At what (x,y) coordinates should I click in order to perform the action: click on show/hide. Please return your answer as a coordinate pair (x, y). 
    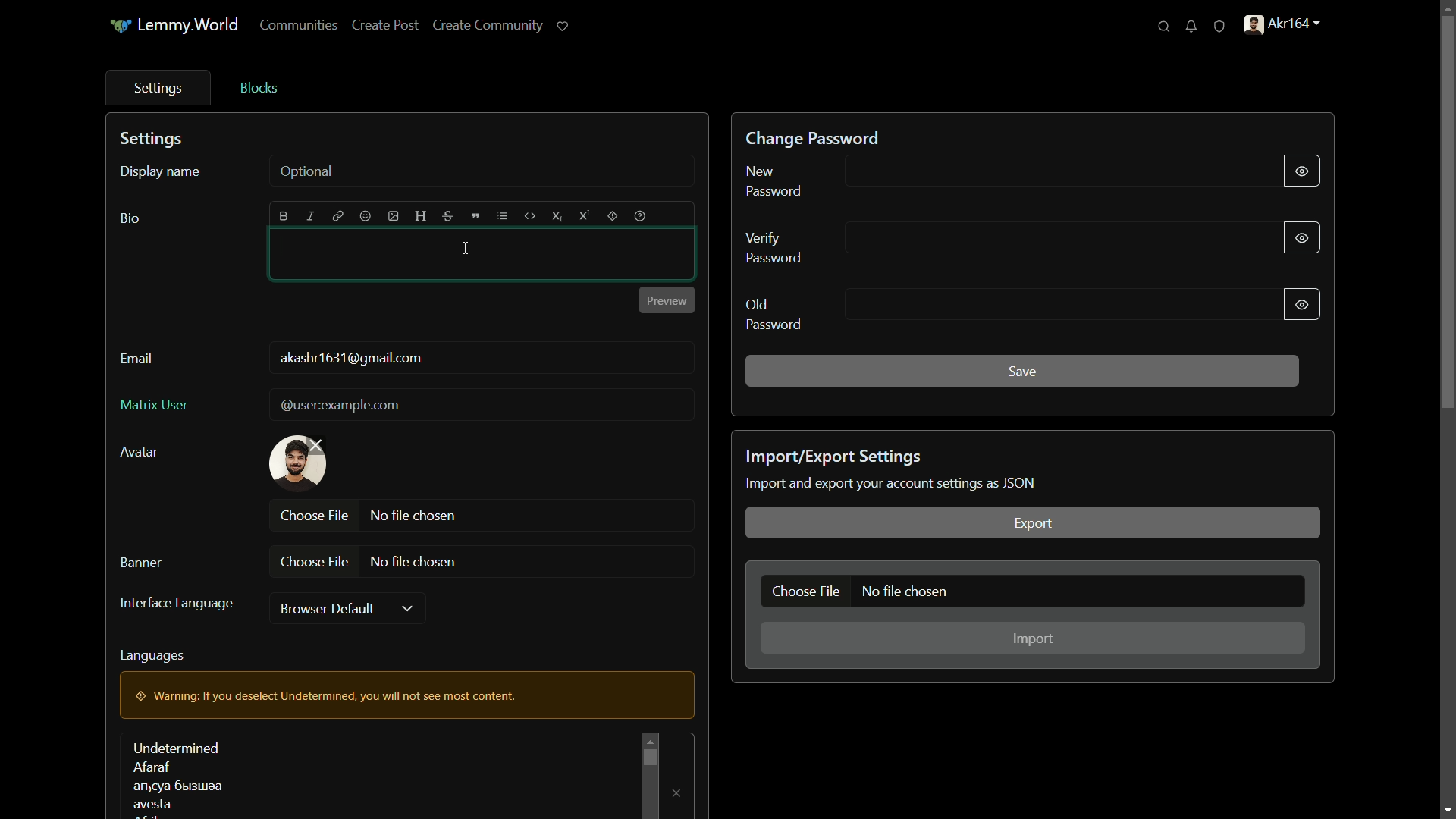
    Looking at the image, I should click on (1302, 170).